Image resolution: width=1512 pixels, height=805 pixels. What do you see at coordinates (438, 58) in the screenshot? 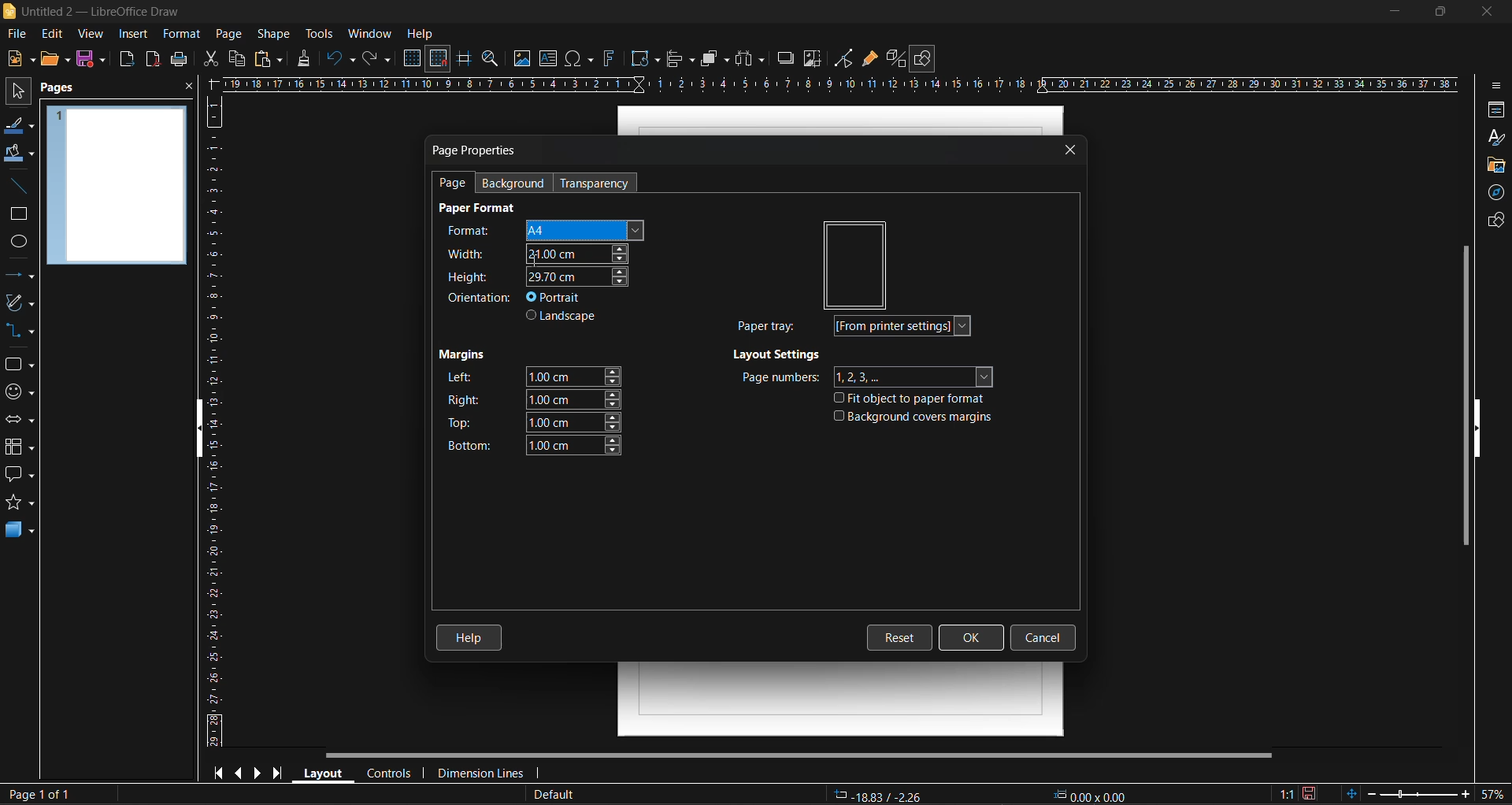
I see `snap to grid` at bounding box center [438, 58].